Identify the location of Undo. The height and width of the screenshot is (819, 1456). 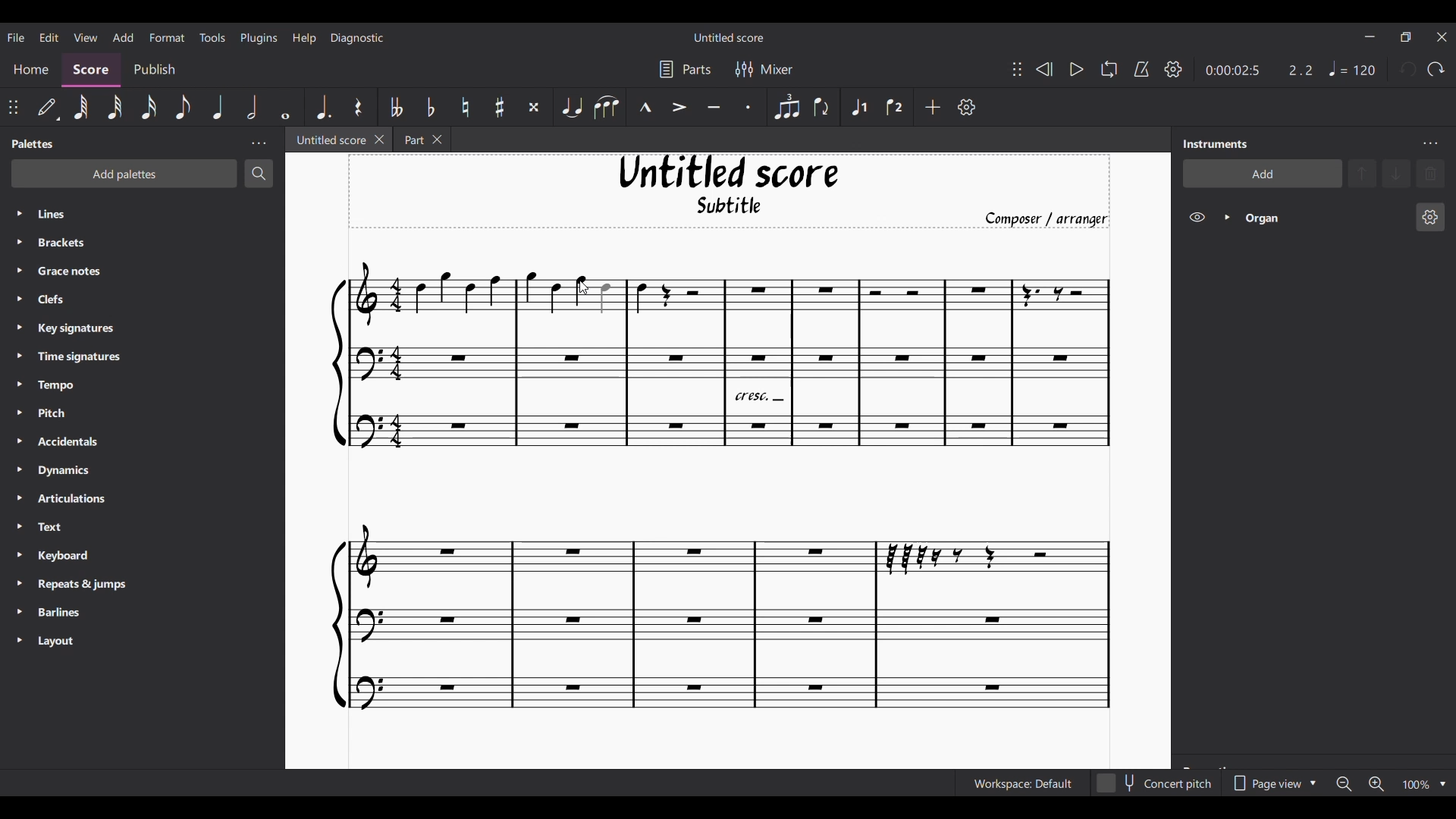
(1408, 69).